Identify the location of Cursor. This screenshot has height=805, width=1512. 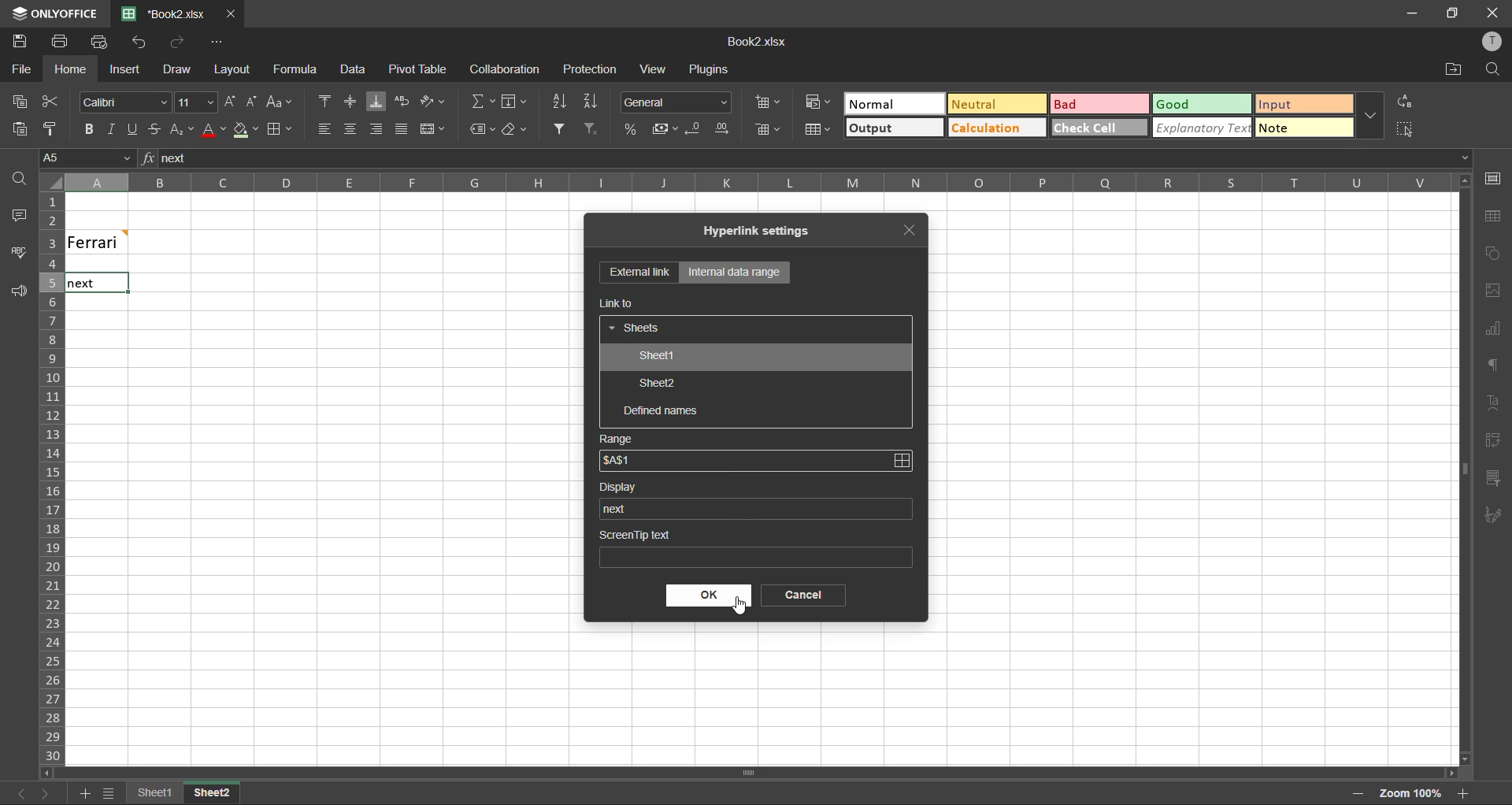
(739, 611).